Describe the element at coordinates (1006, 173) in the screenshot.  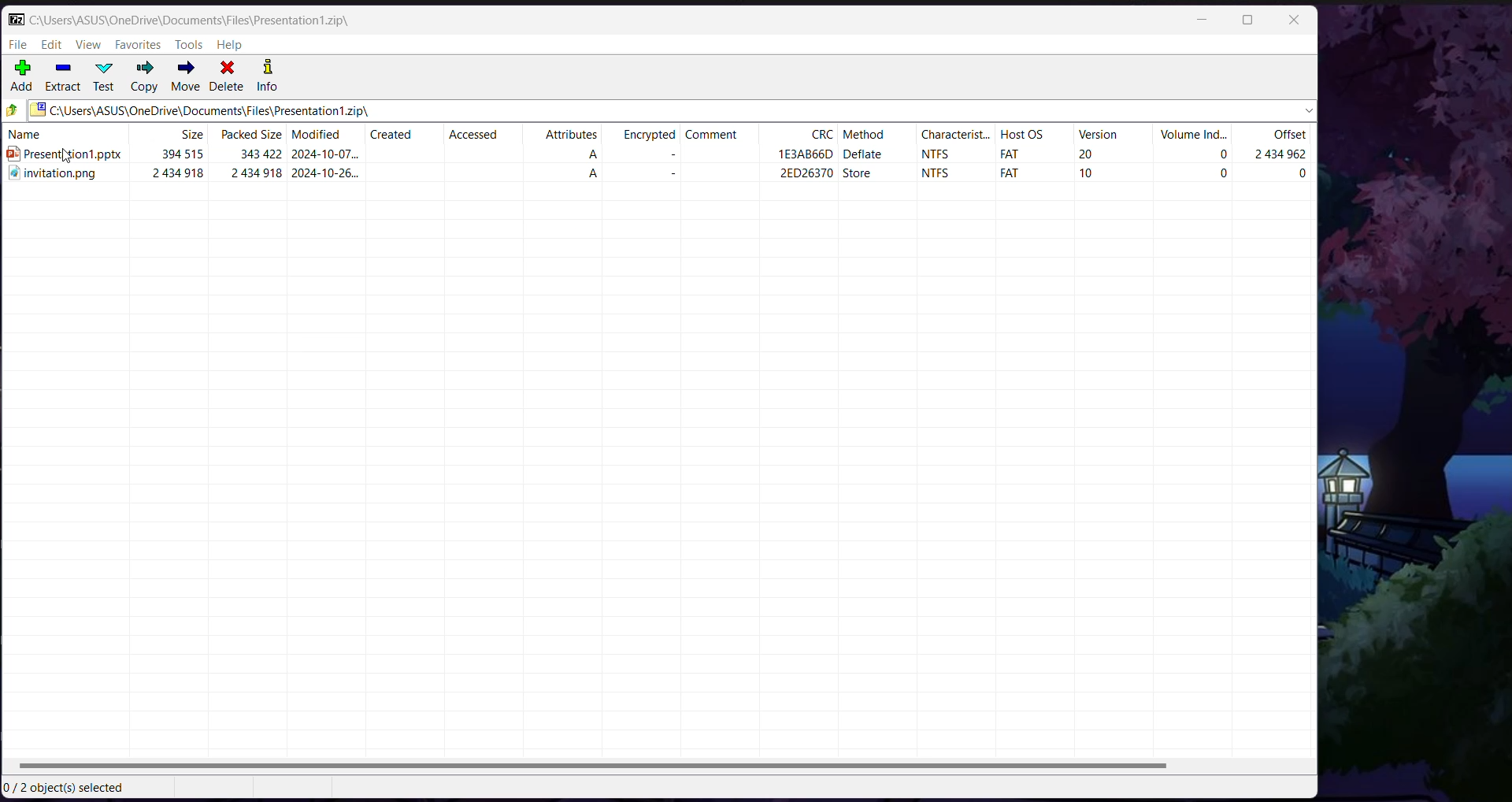
I see `FAT` at that location.